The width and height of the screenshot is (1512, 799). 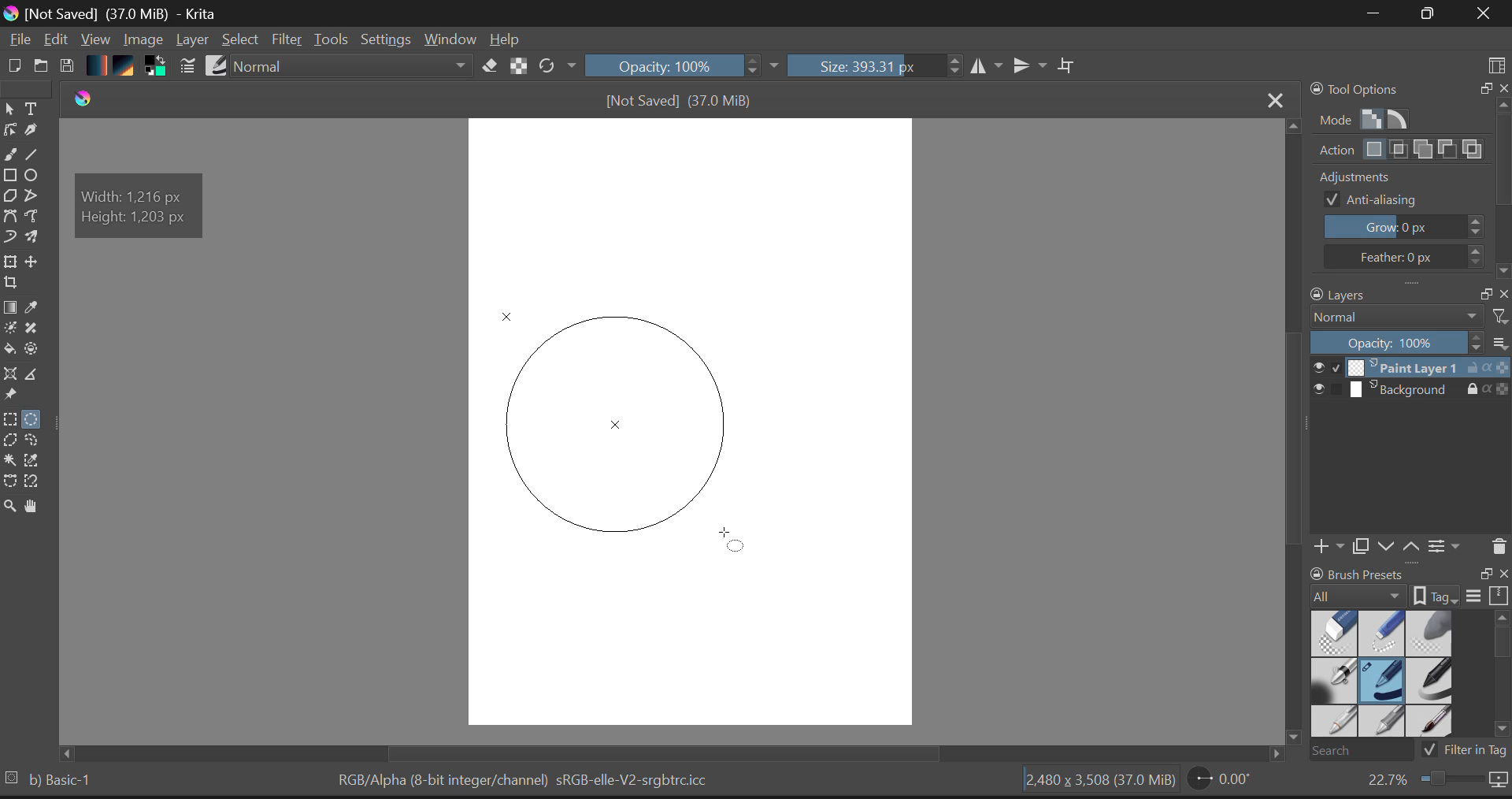 What do you see at coordinates (10, 481) in the screenshot?
I see `Bezier Curve` at bounding box center [10, 481].